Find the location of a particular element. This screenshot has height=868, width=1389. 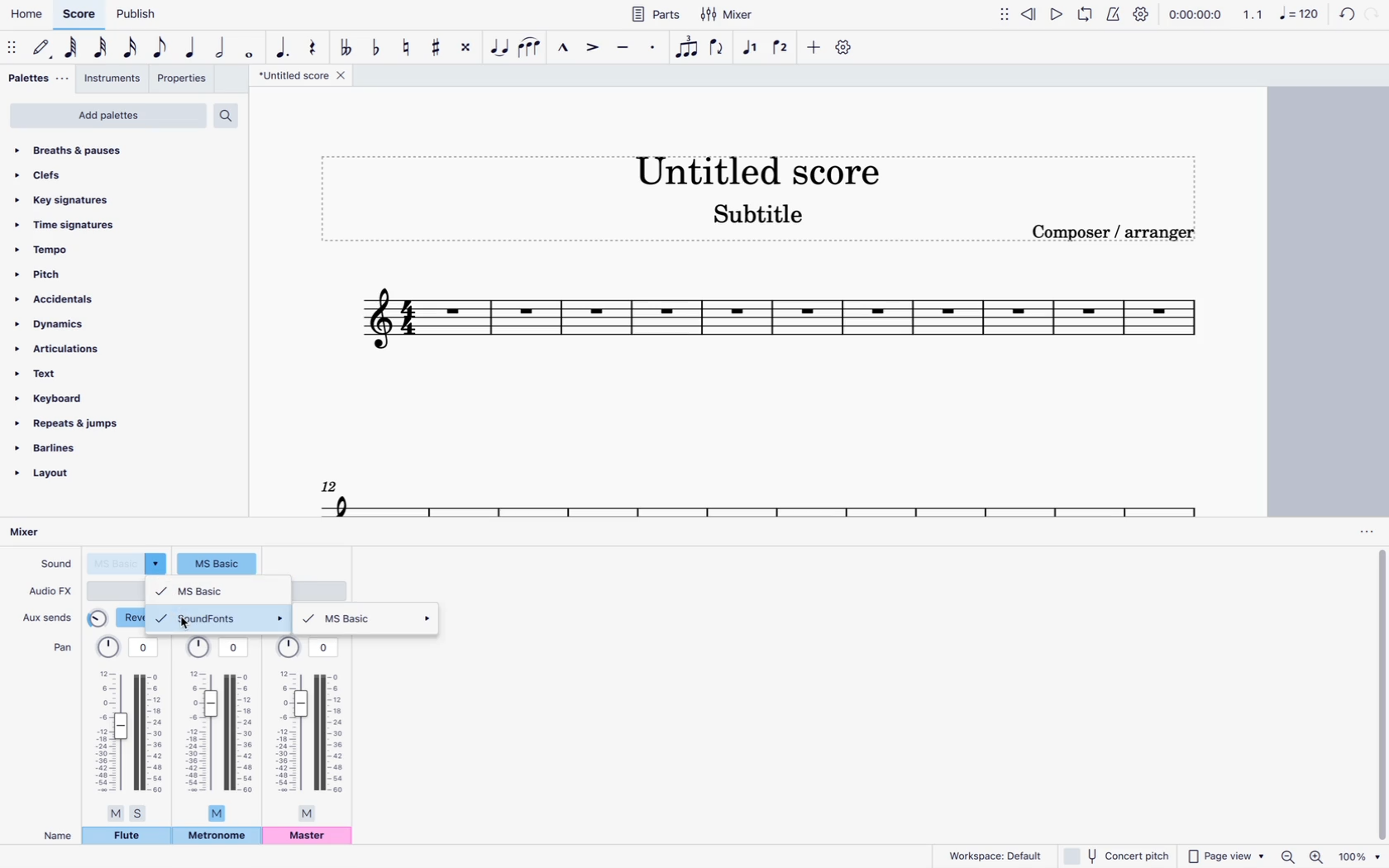

accent is located at coordinates (590, 47).